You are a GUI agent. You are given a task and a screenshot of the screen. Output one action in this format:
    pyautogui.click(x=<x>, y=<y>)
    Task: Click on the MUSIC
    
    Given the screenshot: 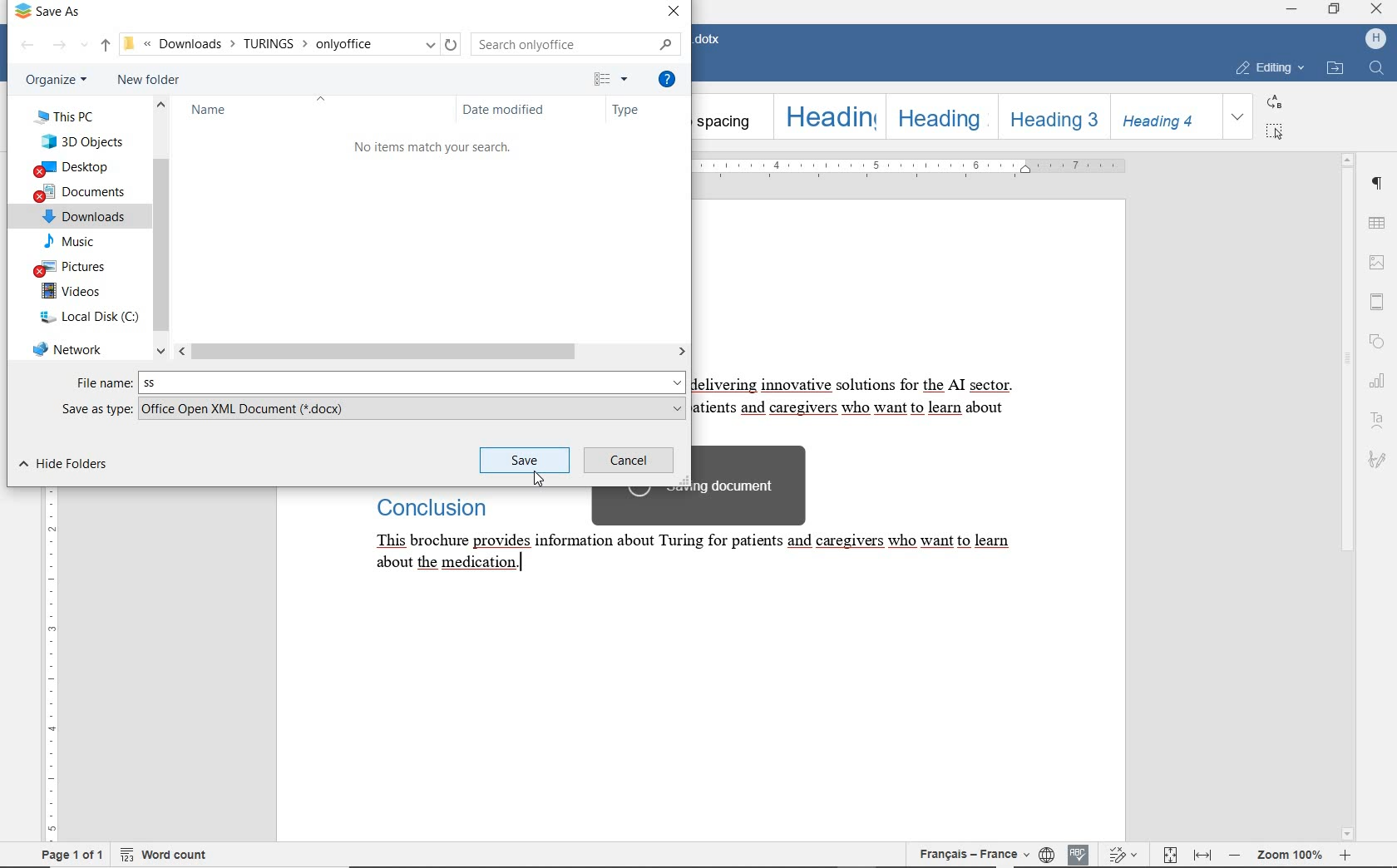 What is the action you would take?
    pyautogui.click(x=80, y=241)
    